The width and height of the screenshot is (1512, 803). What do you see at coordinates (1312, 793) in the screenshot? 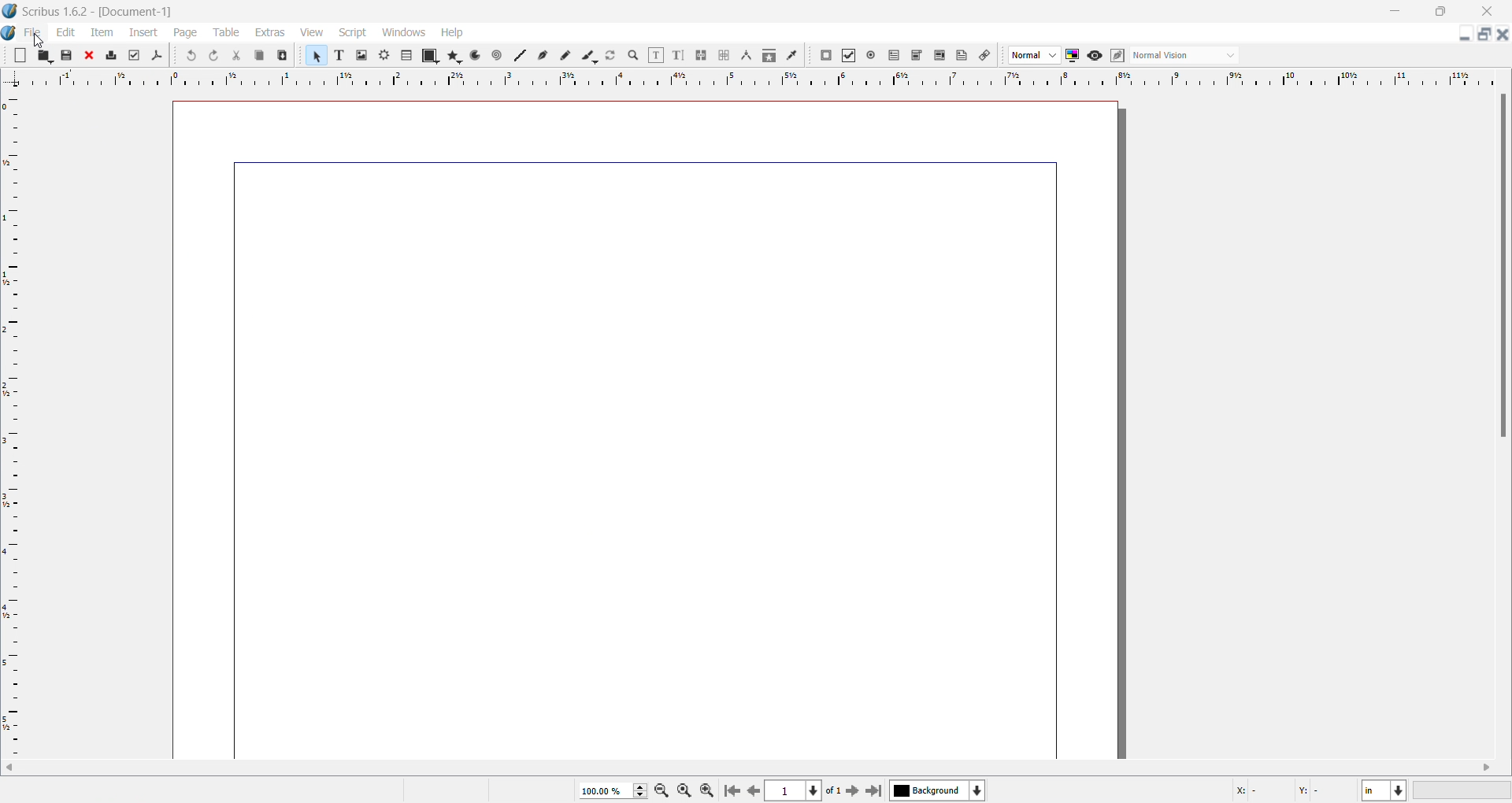
I see `Y` at bounding box center [1312, 793].